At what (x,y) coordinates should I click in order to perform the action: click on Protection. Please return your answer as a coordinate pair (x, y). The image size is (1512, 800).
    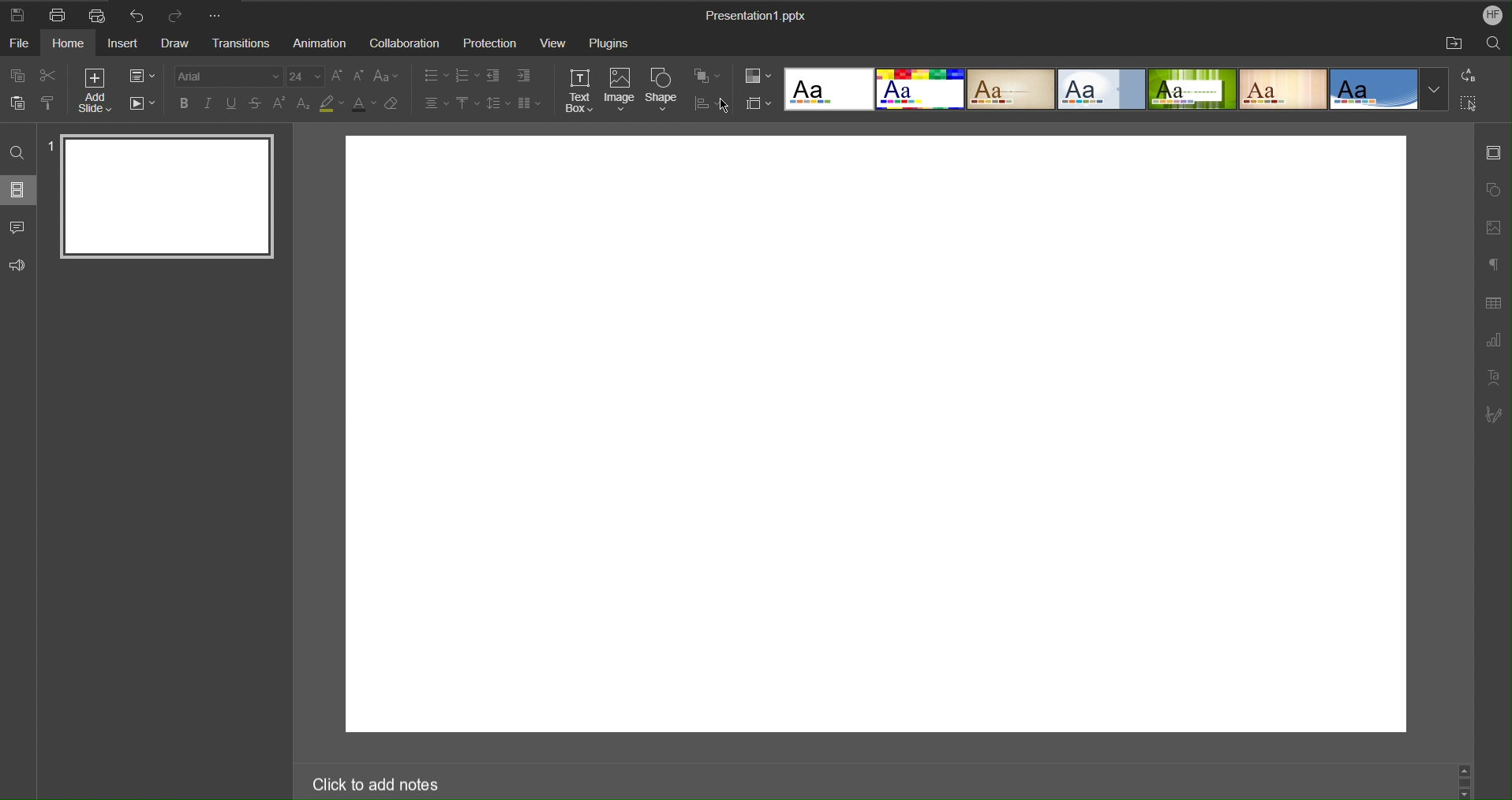
    Looking at the image, I should click on (492, 41).